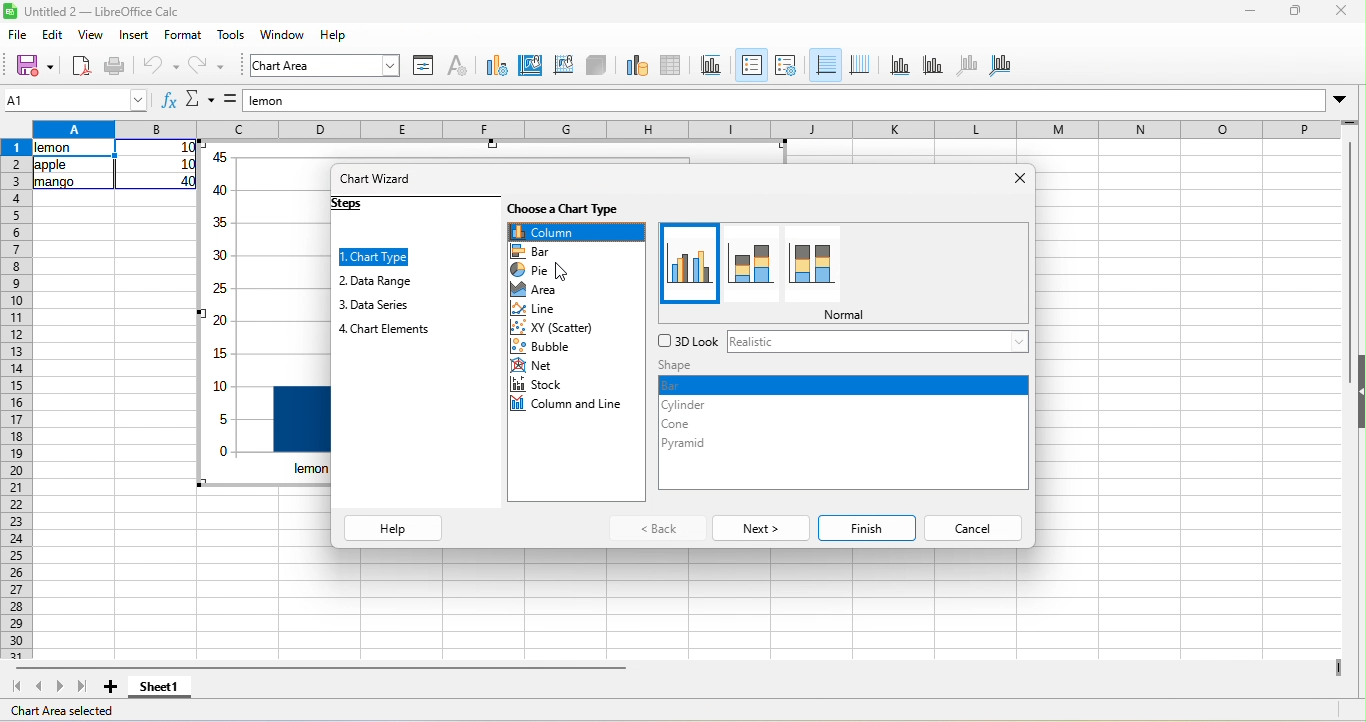 This screenshot has height=722, width=1366. What do you see at coordinates (539, 384) in the screenshot?
I see `stock` at bounding box center [539, 384].